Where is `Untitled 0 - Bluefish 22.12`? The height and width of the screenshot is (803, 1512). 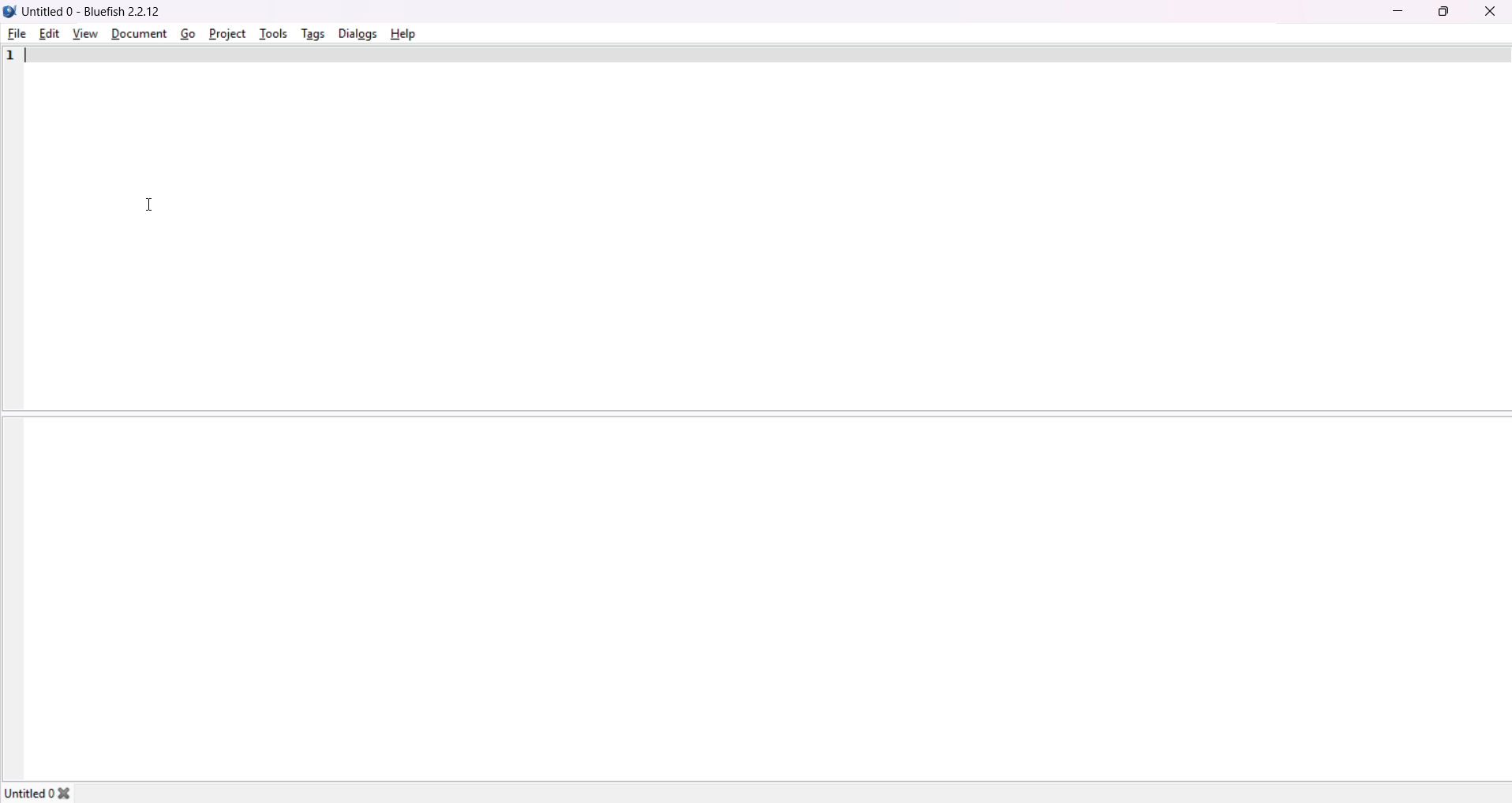 Untitled 0 - Bluefish 22.12 is located at coordinates (99, 11).